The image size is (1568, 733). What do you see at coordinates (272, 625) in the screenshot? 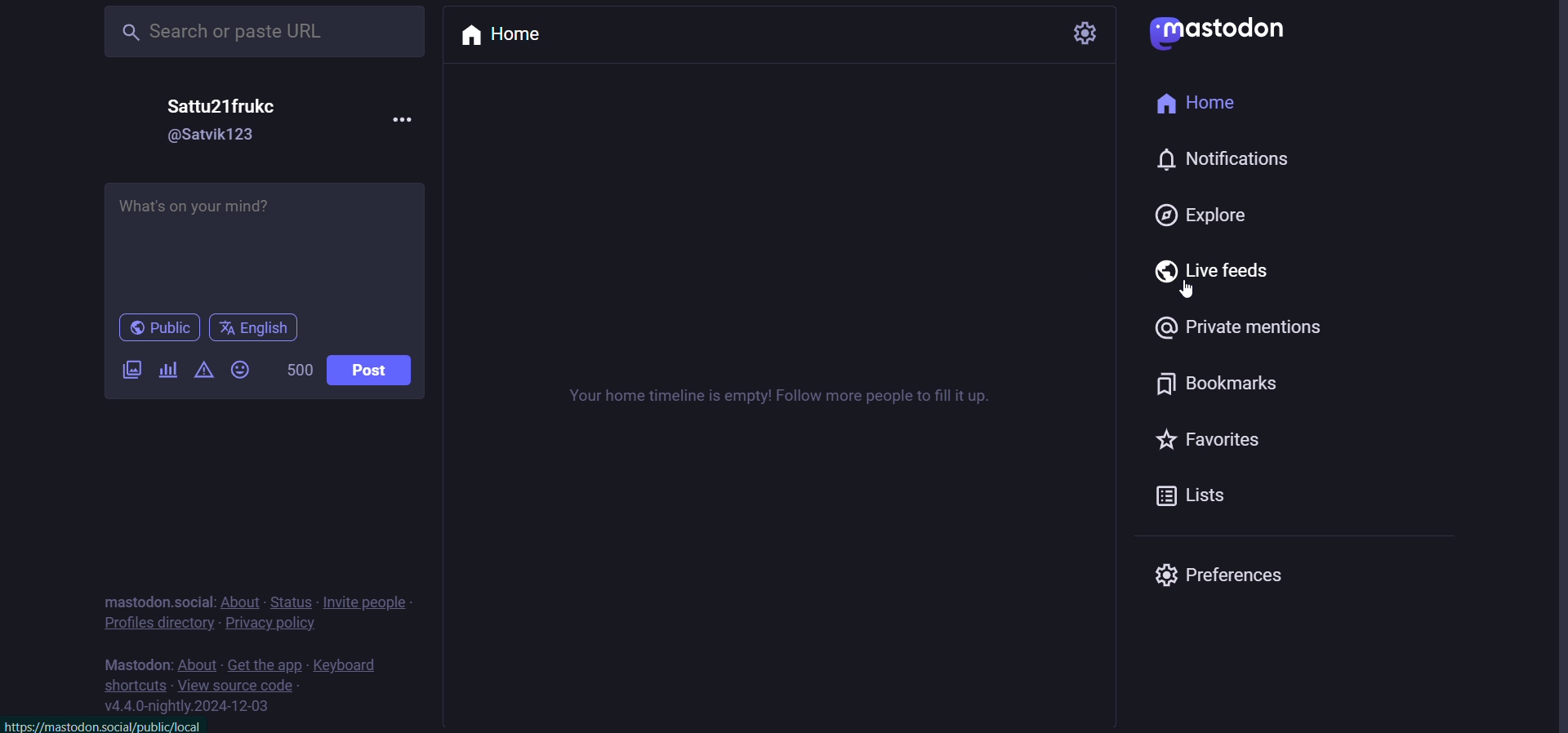
I see `privacy policy` at bounding box center [272, 625].